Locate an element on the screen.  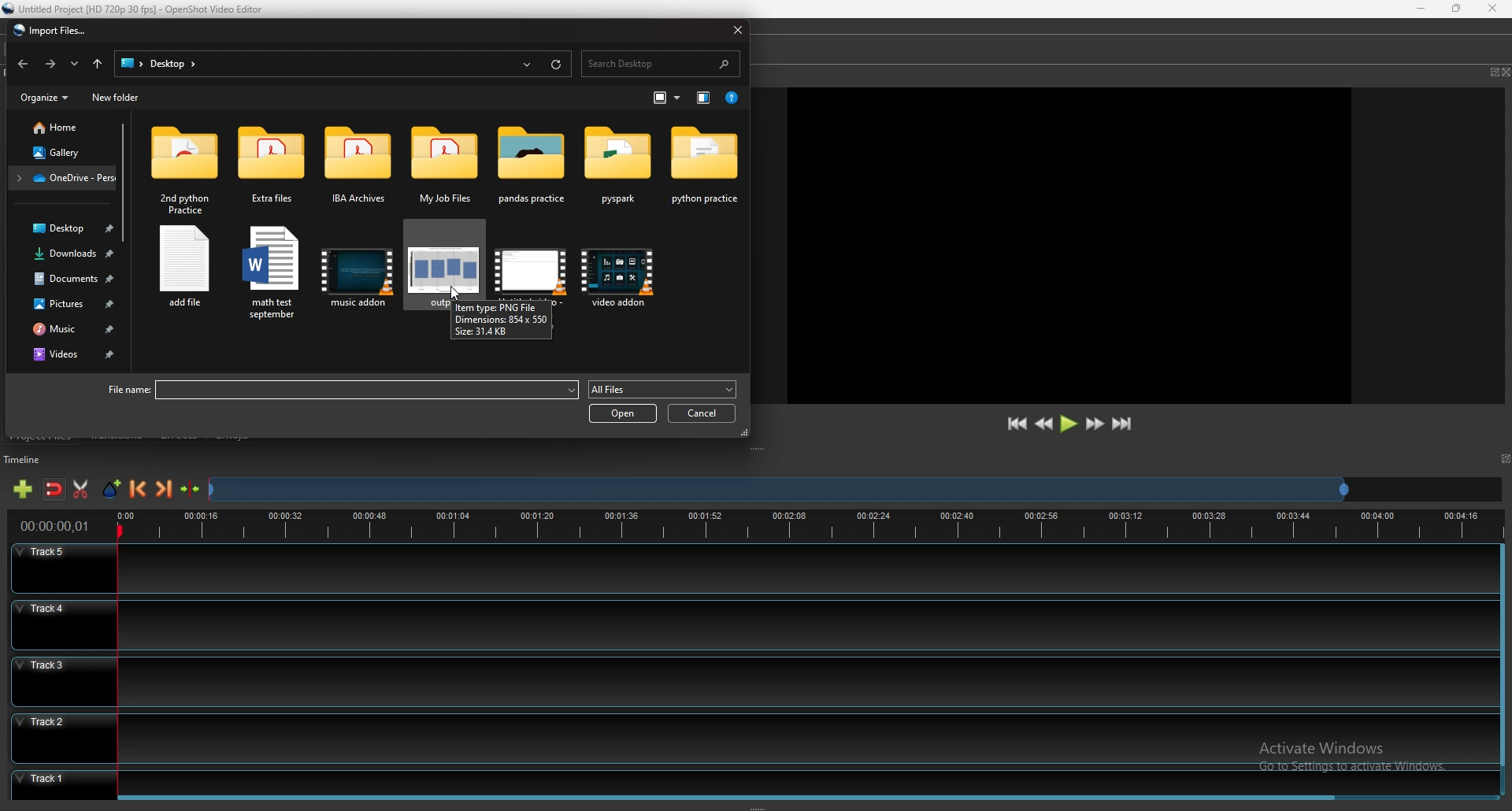
forward is located at coordinates (50, 64).